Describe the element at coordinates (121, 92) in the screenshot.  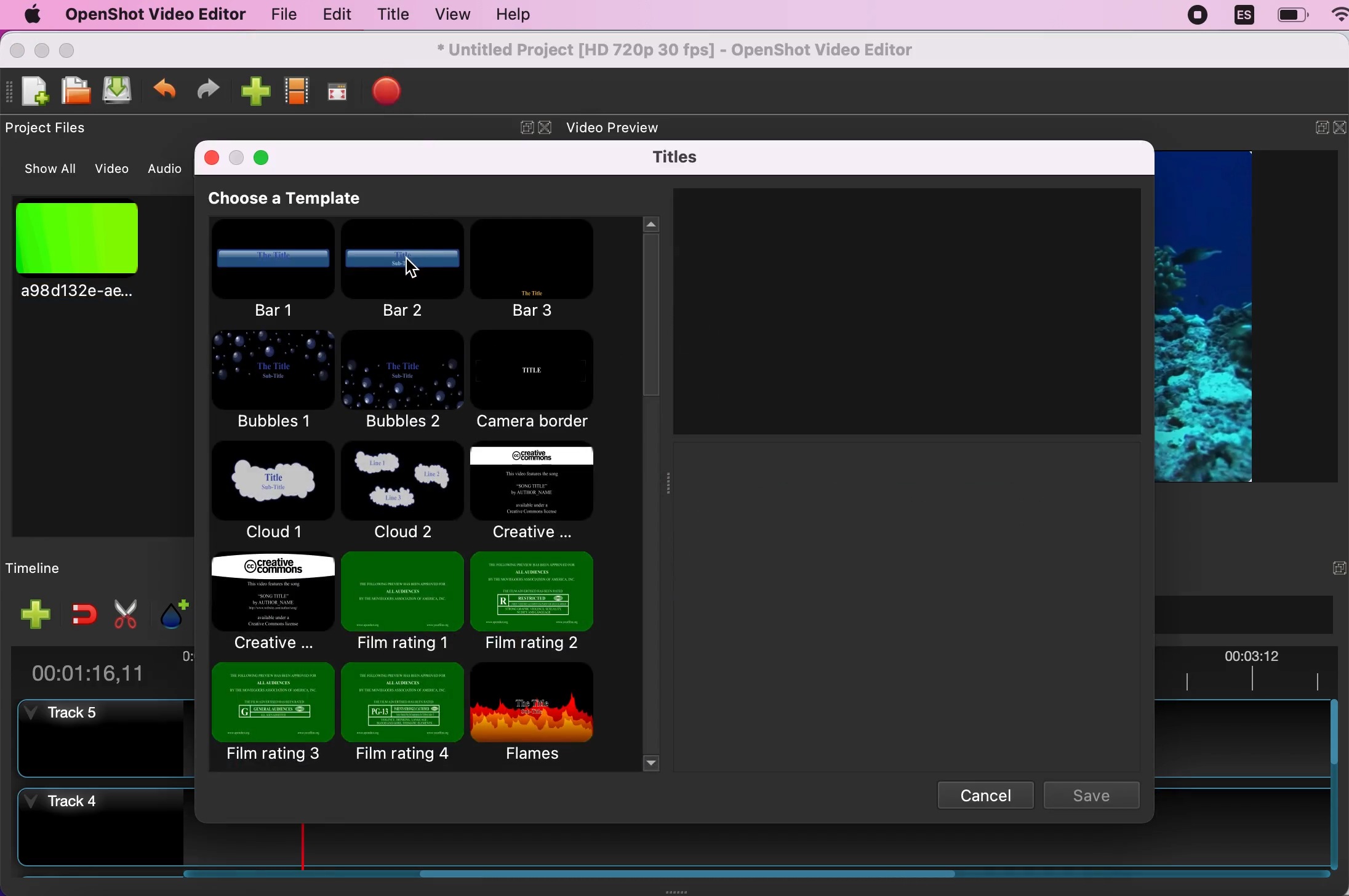
I see `save file` at that location.